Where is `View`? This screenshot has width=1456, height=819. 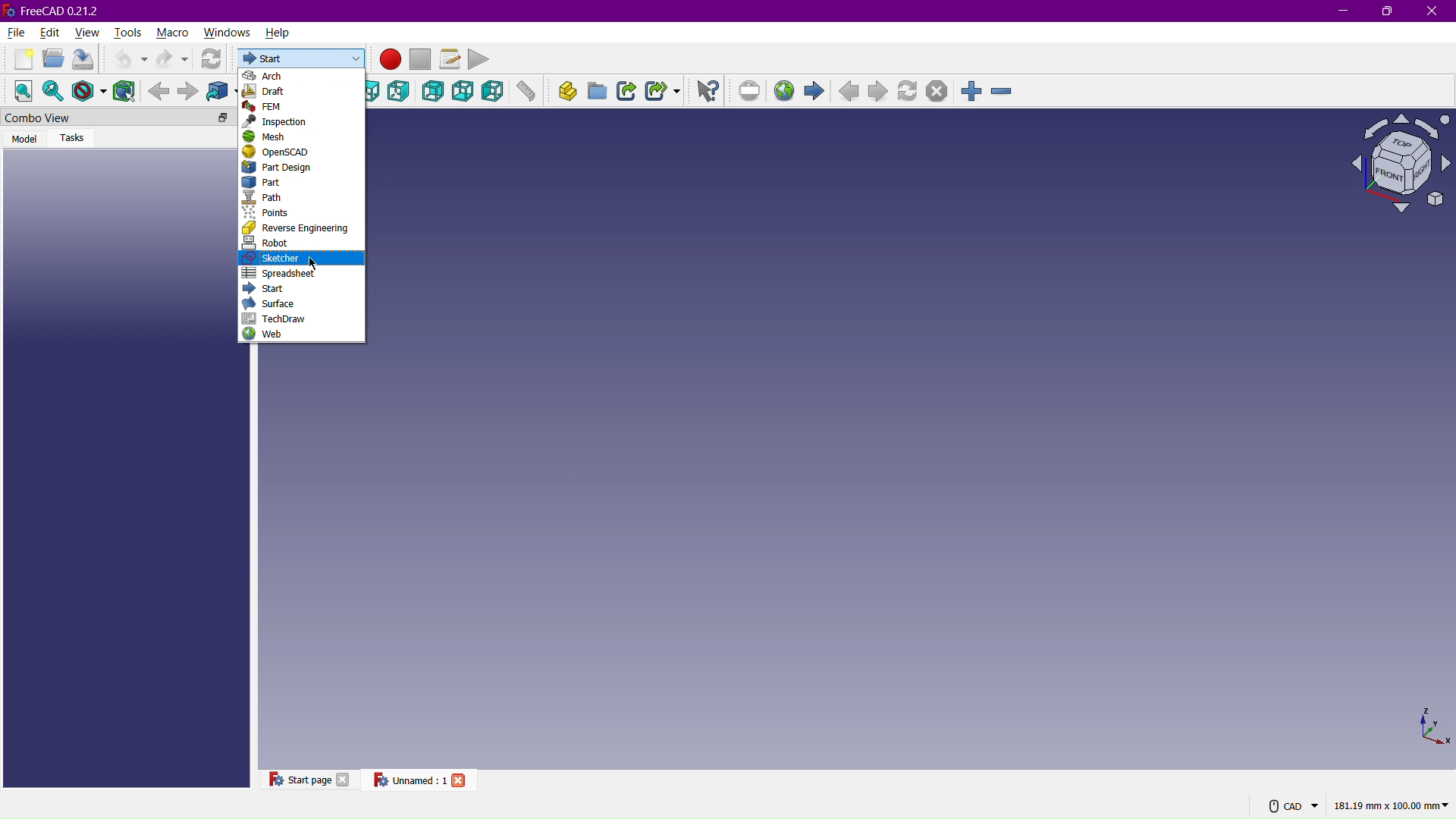
View is located at coordinates (89, 30).